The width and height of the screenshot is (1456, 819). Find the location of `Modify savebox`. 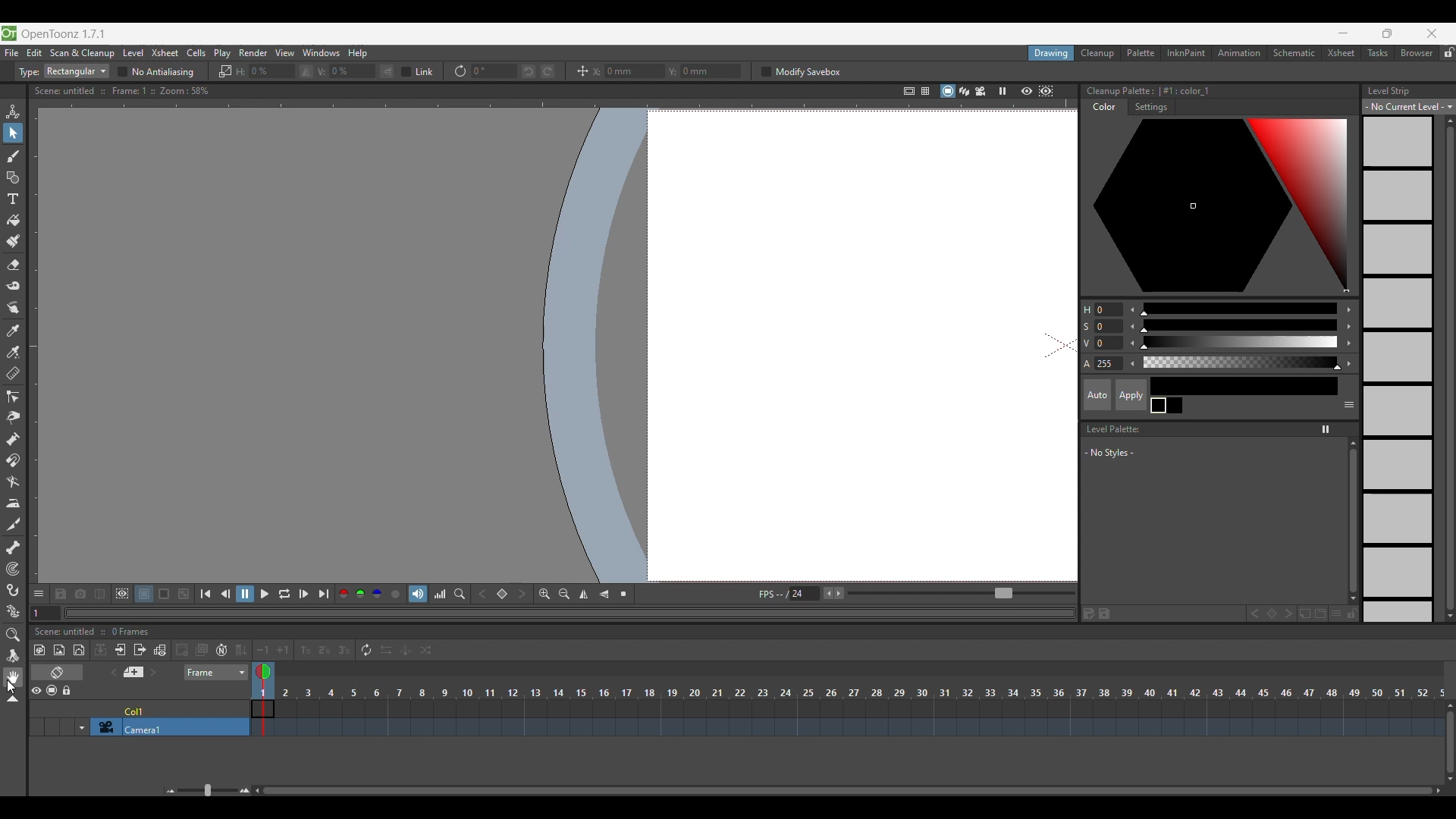

Modify savebox is located at coordinates (802, 71).